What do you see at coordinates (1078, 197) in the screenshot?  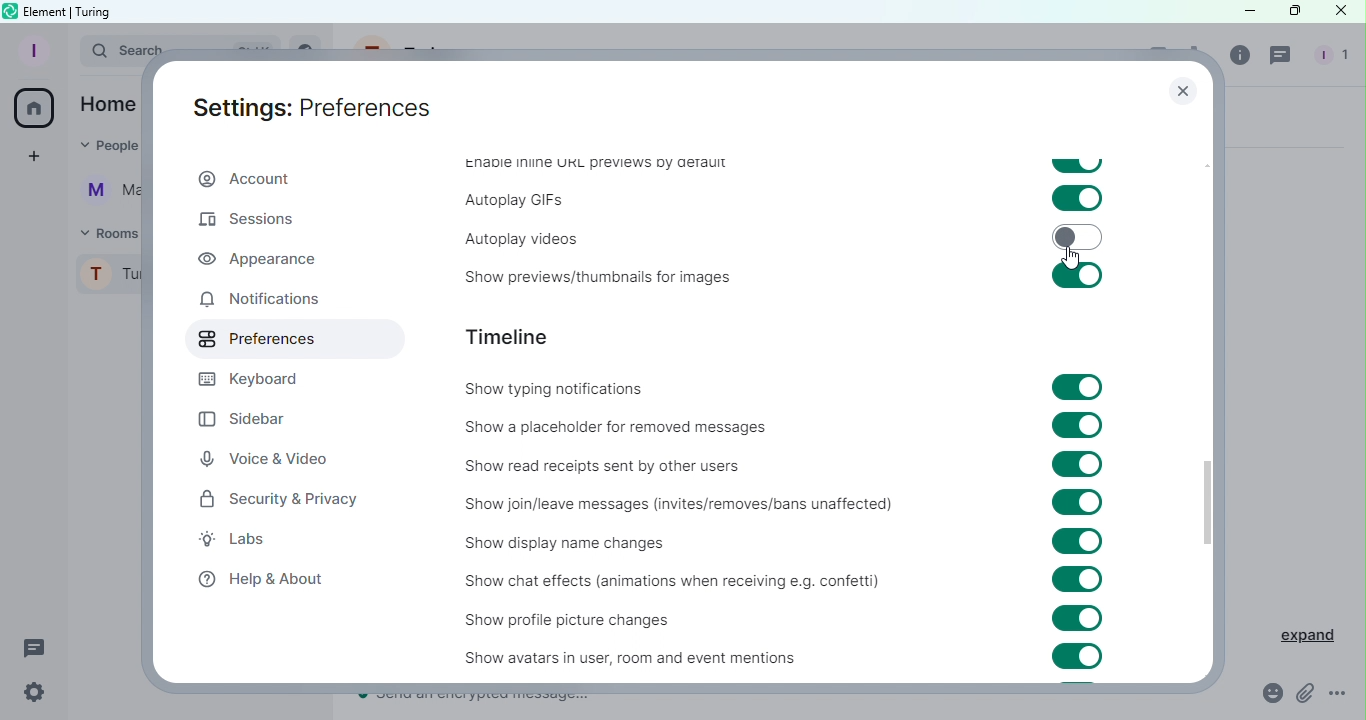 I see `Toggle` at bounding box center [1078, 197].